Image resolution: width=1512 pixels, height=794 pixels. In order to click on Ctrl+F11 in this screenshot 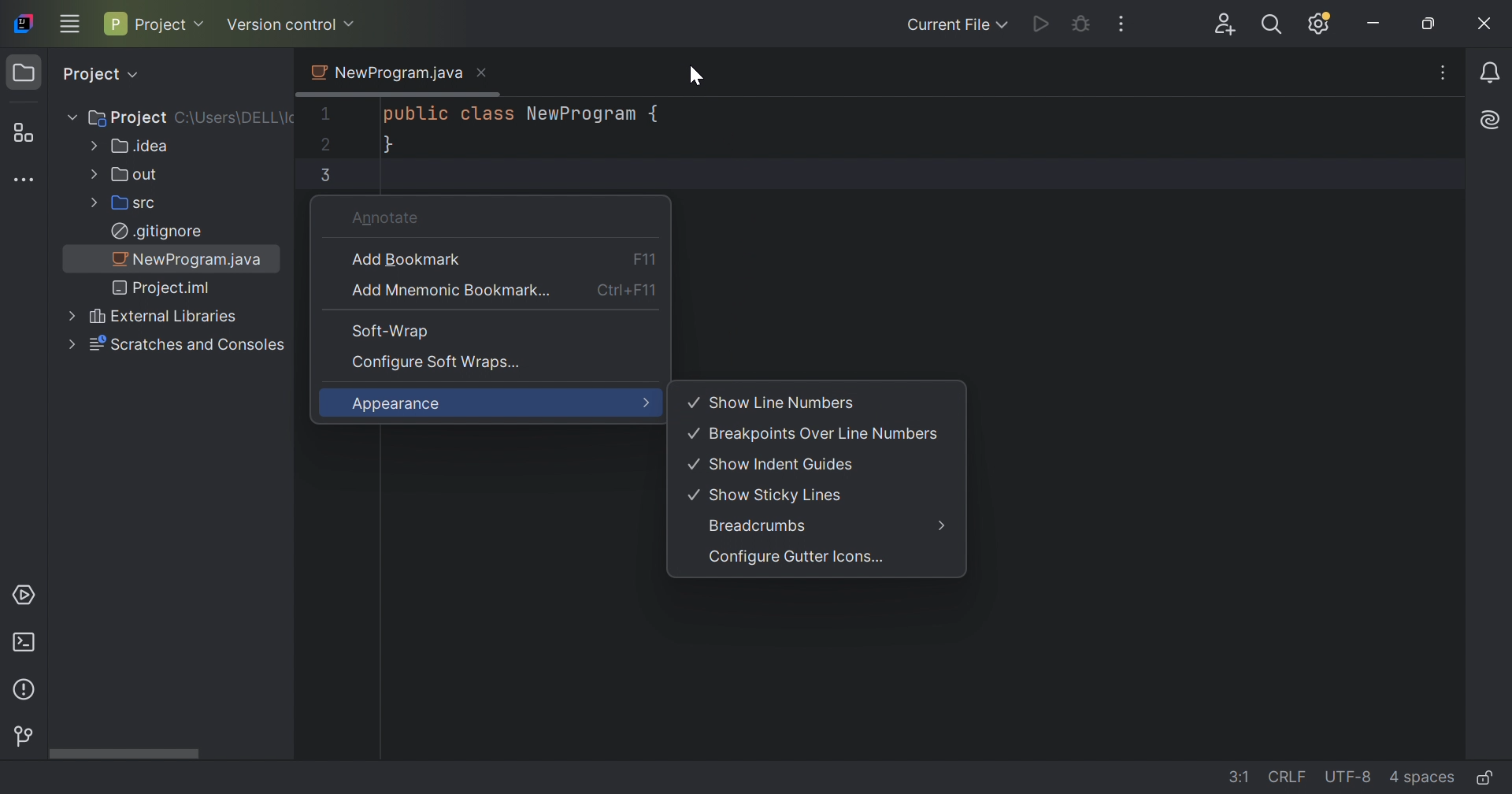, I will do `click(629, 293)`.